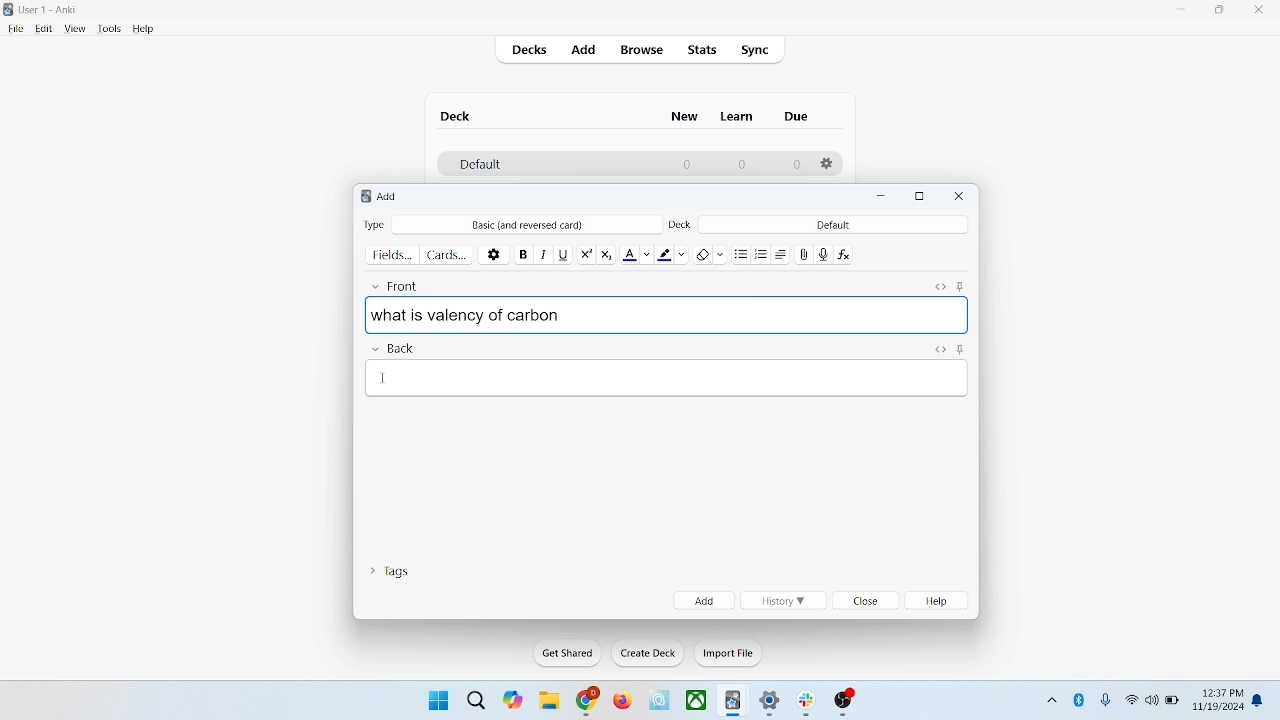 This screenshot has height=720, width=1280. I want to click on blank space, so click(668, 377).